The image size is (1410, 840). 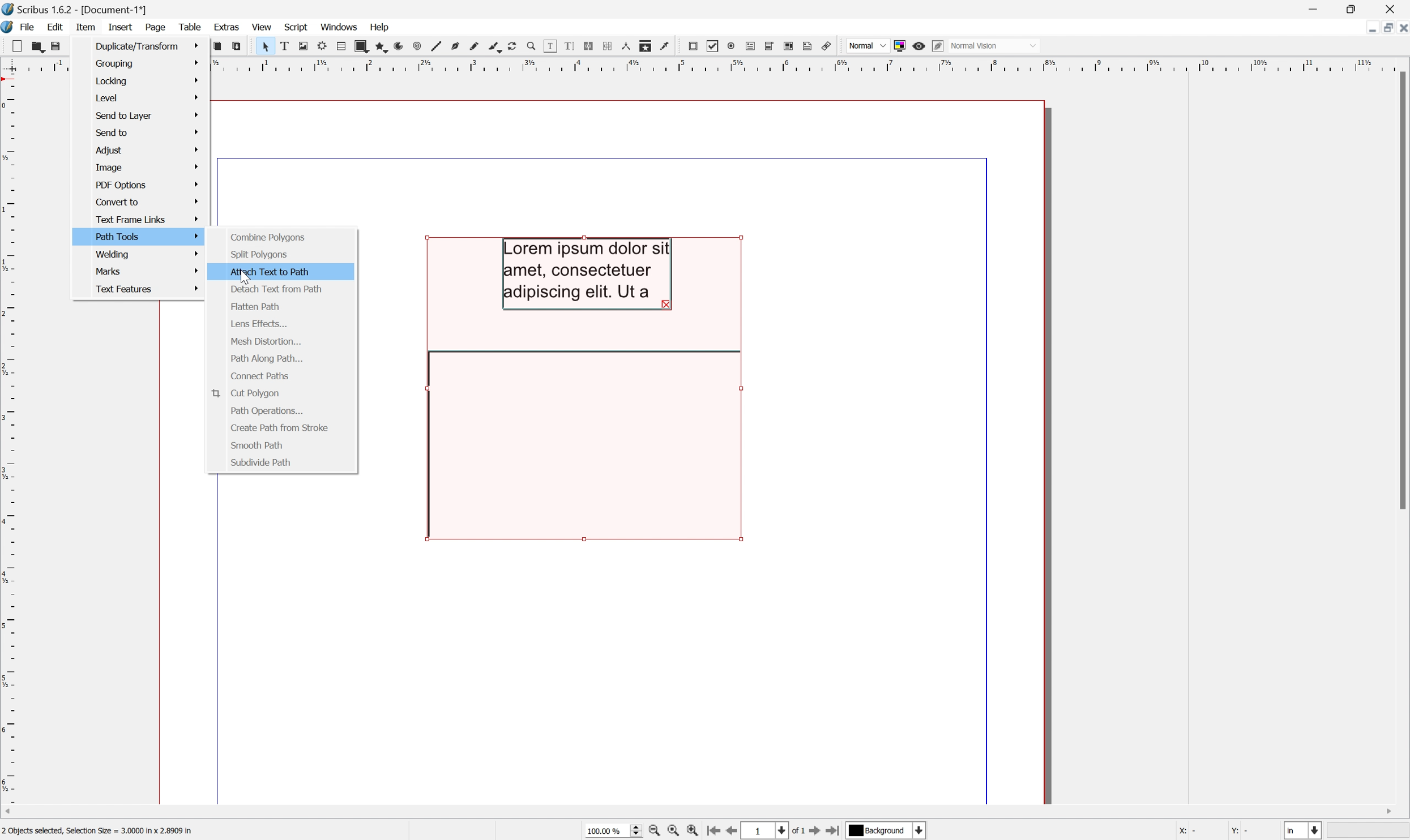 I want to click on Path tools, so click(x=146, y=236).